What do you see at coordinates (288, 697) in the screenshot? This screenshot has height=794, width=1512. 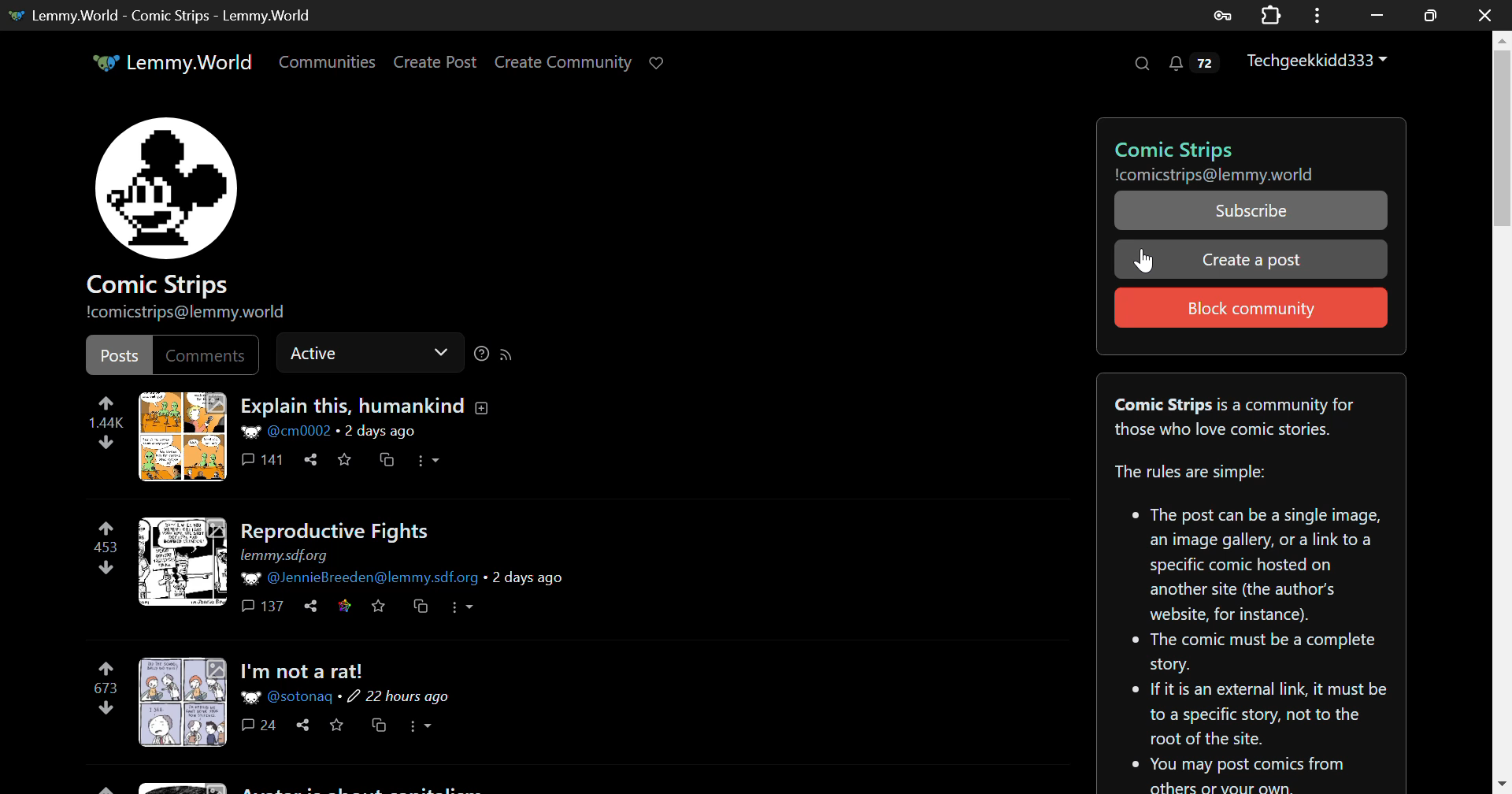 I see `@sotonaq` at bounding box center [288, 697].